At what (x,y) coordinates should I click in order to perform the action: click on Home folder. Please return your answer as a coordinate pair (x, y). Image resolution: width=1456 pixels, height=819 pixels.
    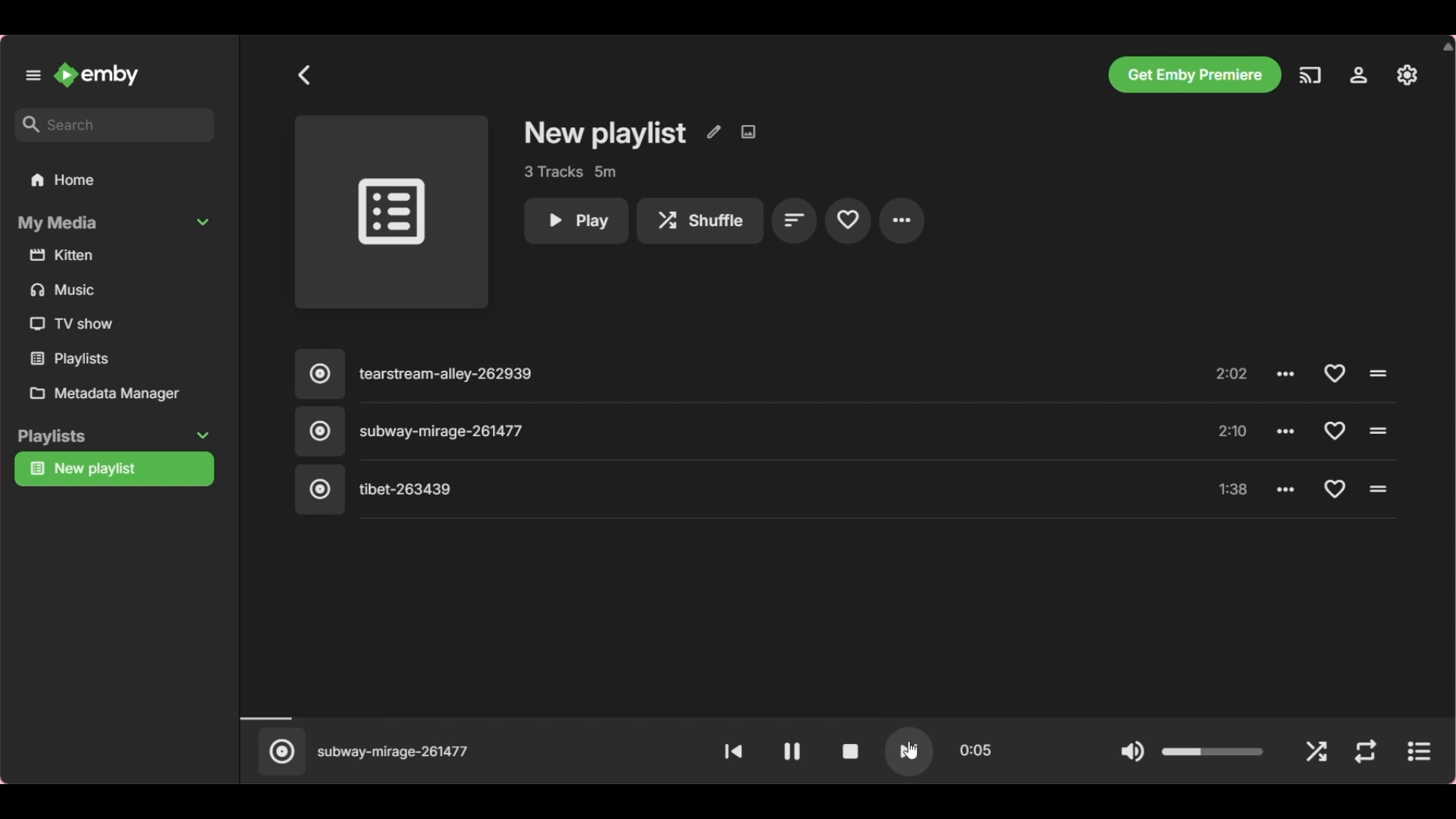
    Looking at the image, I should click on (116, 180).